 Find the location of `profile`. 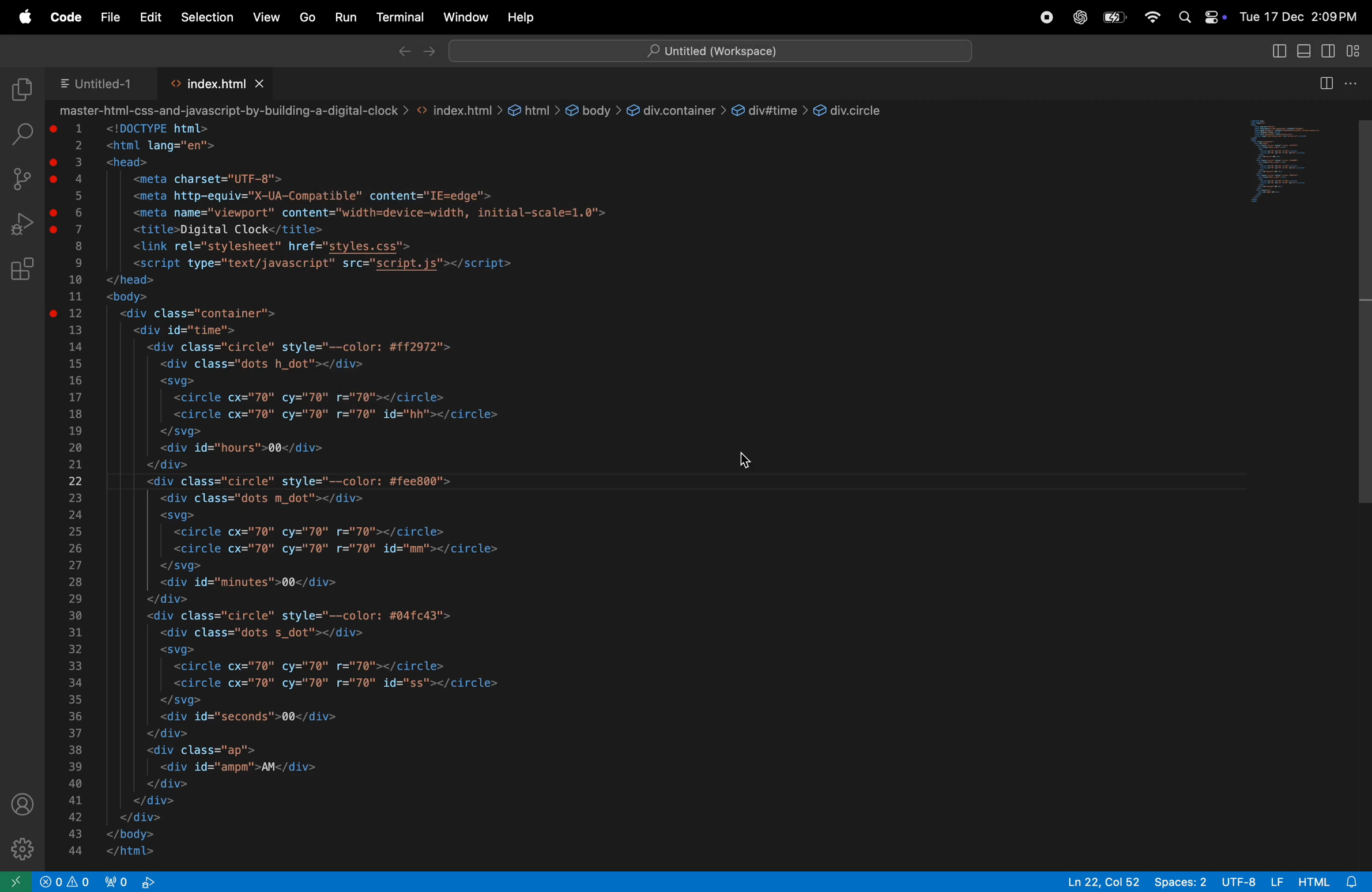

profile is located at coordinates (24, 805).